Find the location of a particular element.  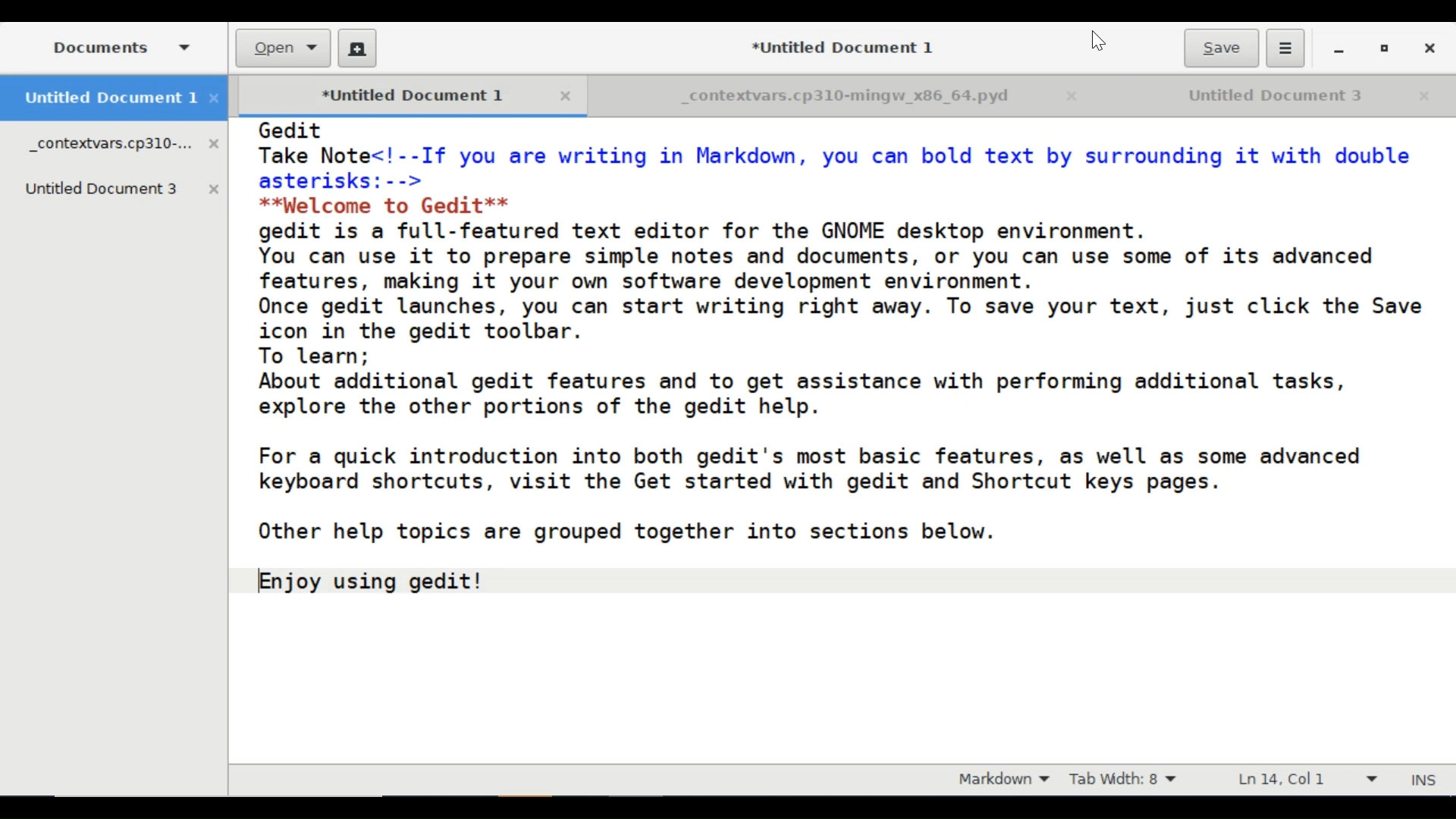

Untitled Document 3 tab is located at coordinates (124, 189).